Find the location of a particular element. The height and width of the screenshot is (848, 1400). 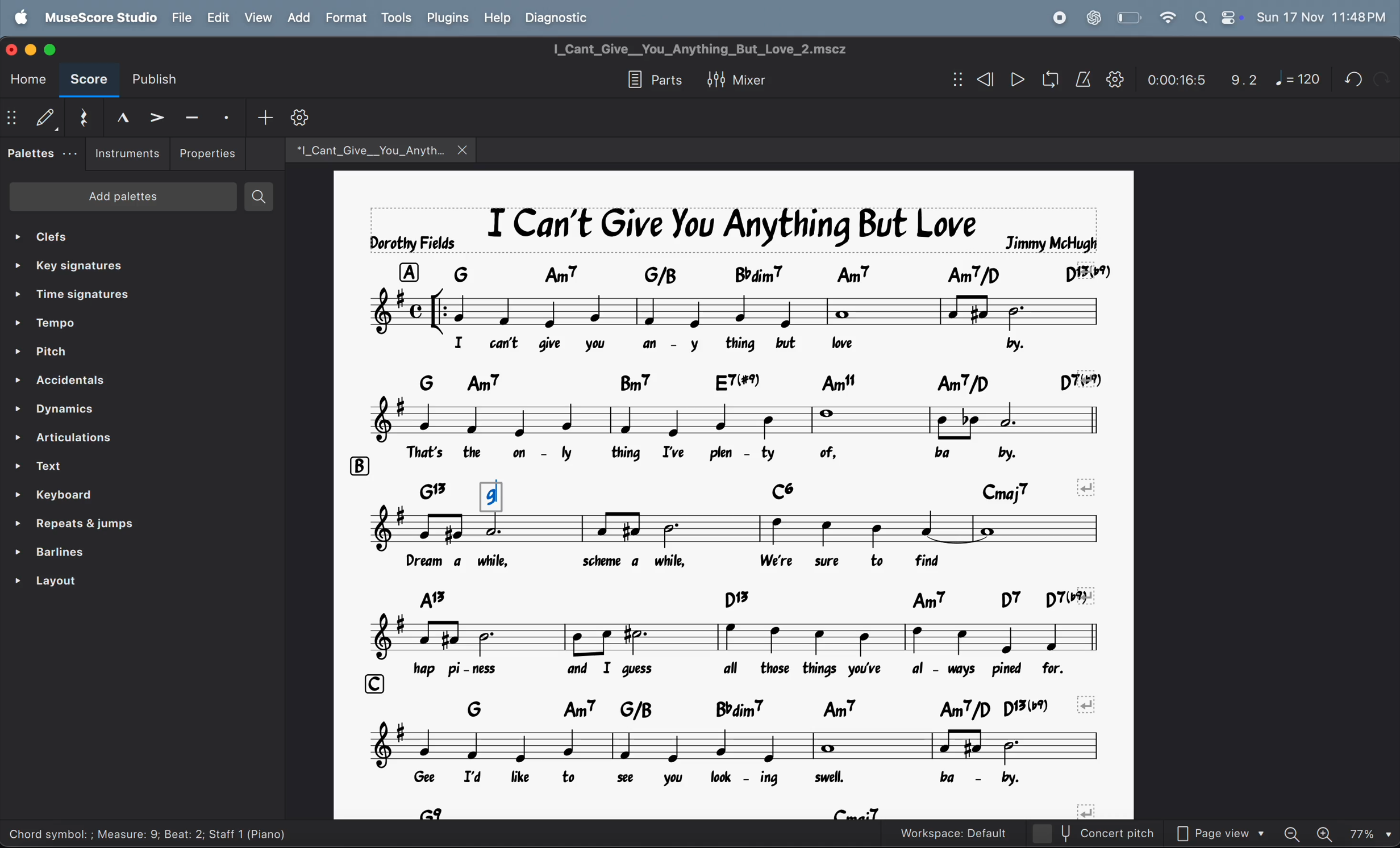

notes is located at coordinates (732, 745).